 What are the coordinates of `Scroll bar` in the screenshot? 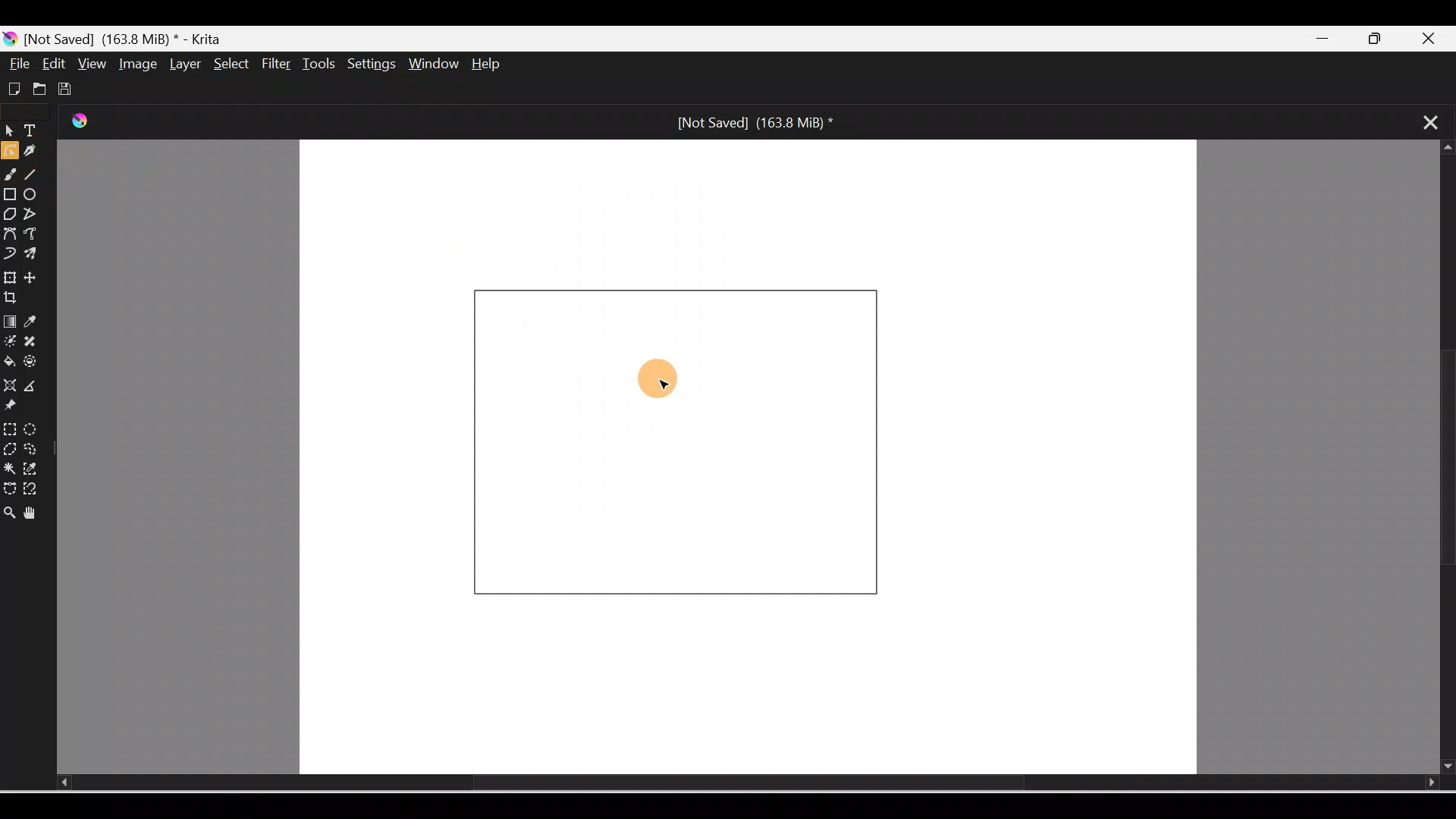 It's located at (725, 783).